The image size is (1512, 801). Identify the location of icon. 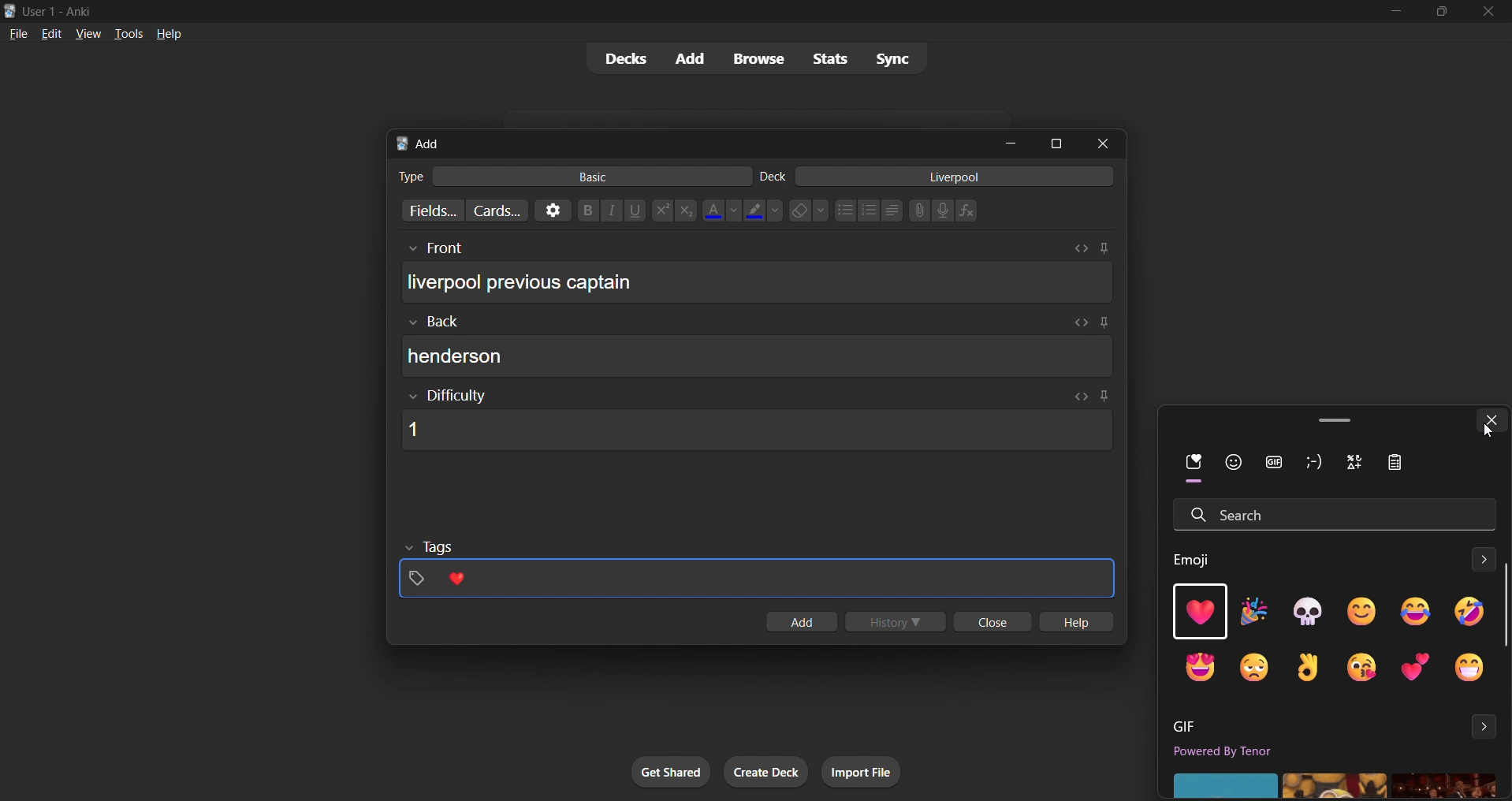
(1360, 464).